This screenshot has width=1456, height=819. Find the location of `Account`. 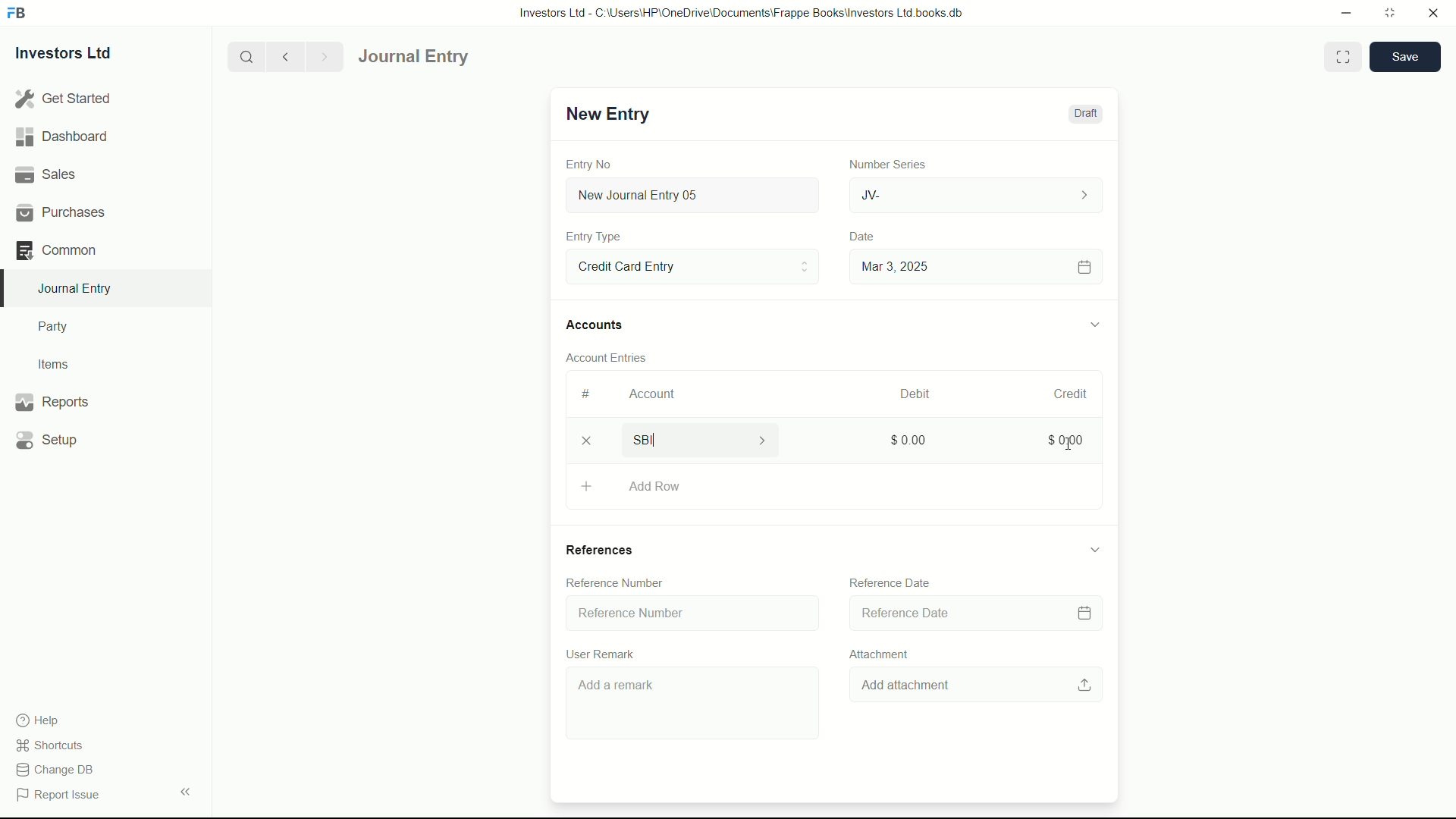

Account is located at coordinates (653, 394).